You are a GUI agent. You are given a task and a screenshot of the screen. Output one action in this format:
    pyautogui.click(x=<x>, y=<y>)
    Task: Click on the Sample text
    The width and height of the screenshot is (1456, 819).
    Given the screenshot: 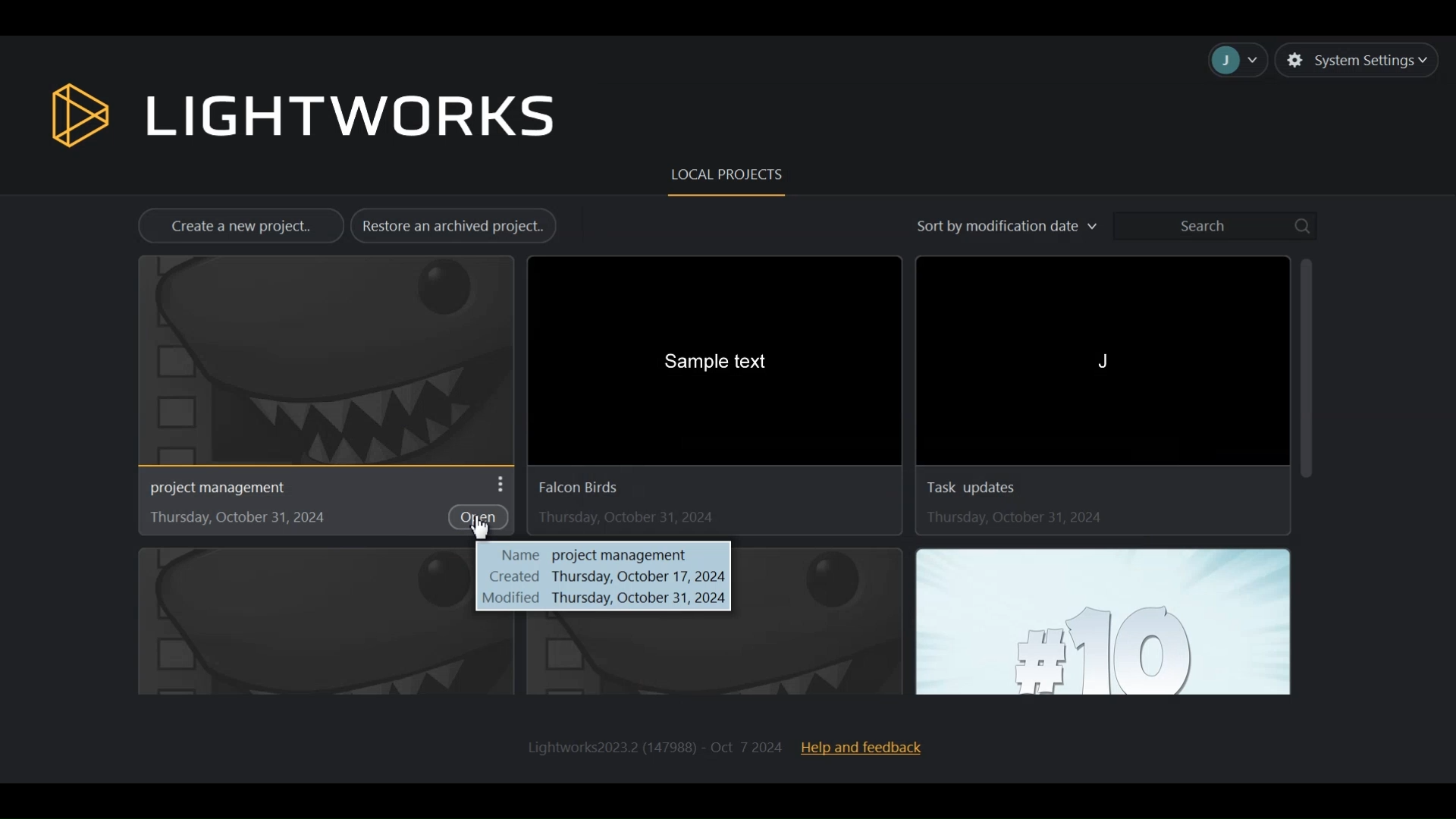 What is the action you would take?
    pyautogui.click(x=716, y=361)
    